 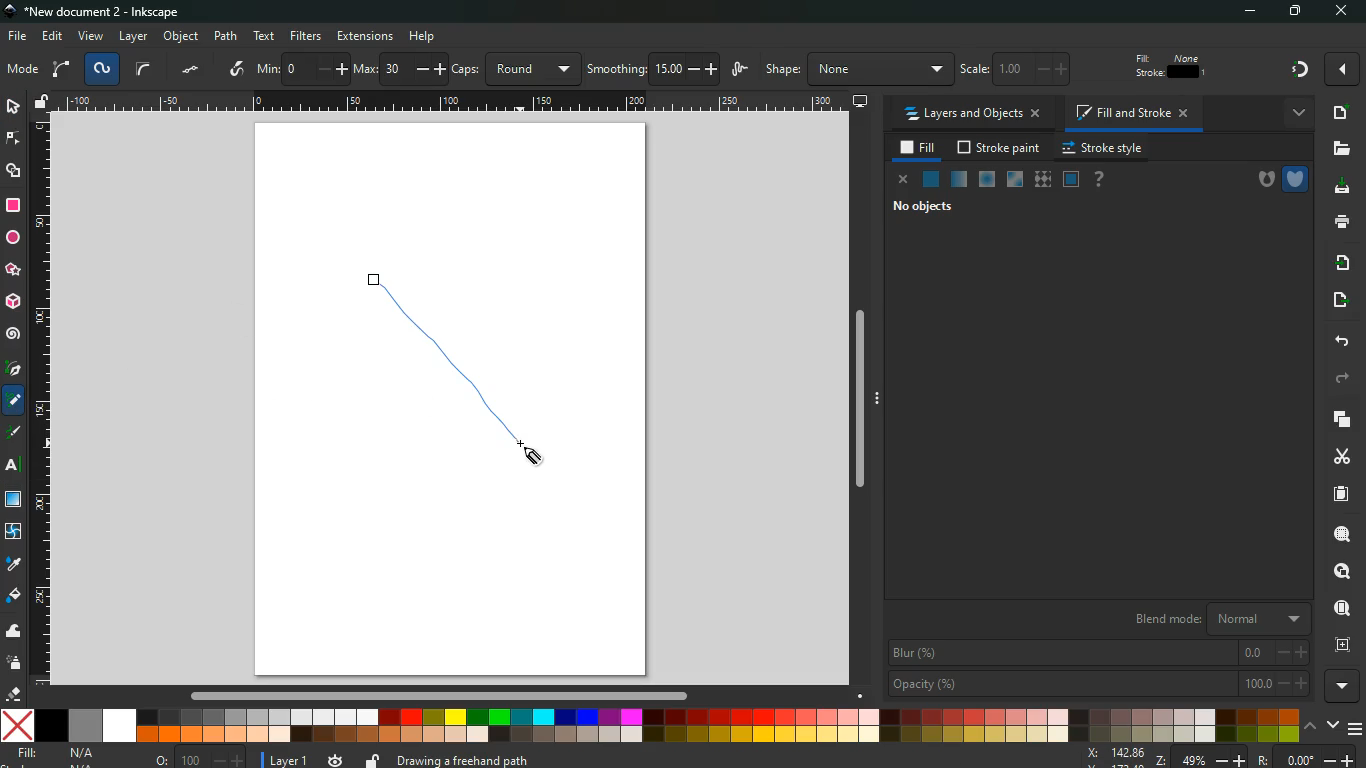 I want to click on menu, so click(x=1356, y=730).